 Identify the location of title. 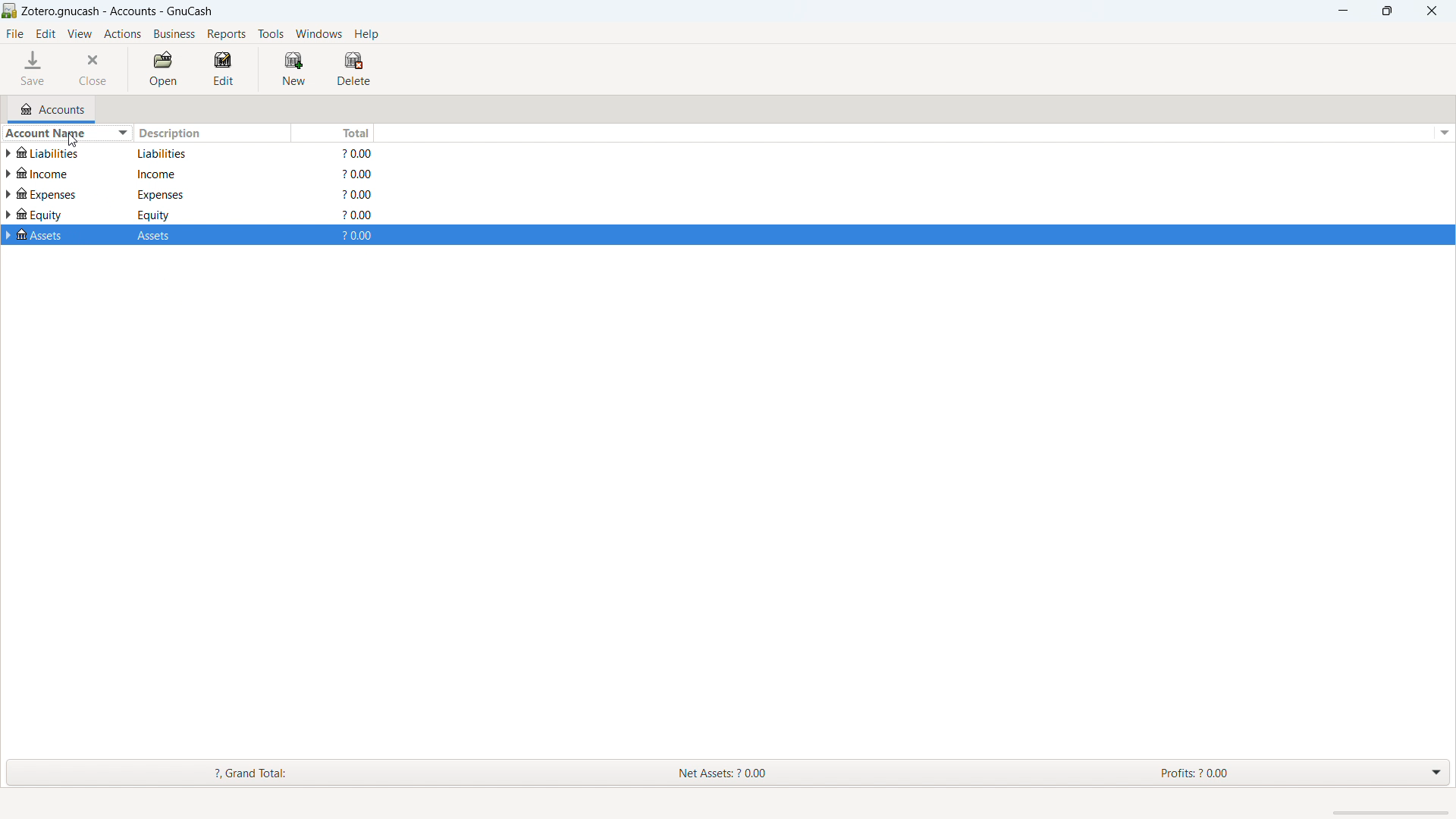
(118, 11).